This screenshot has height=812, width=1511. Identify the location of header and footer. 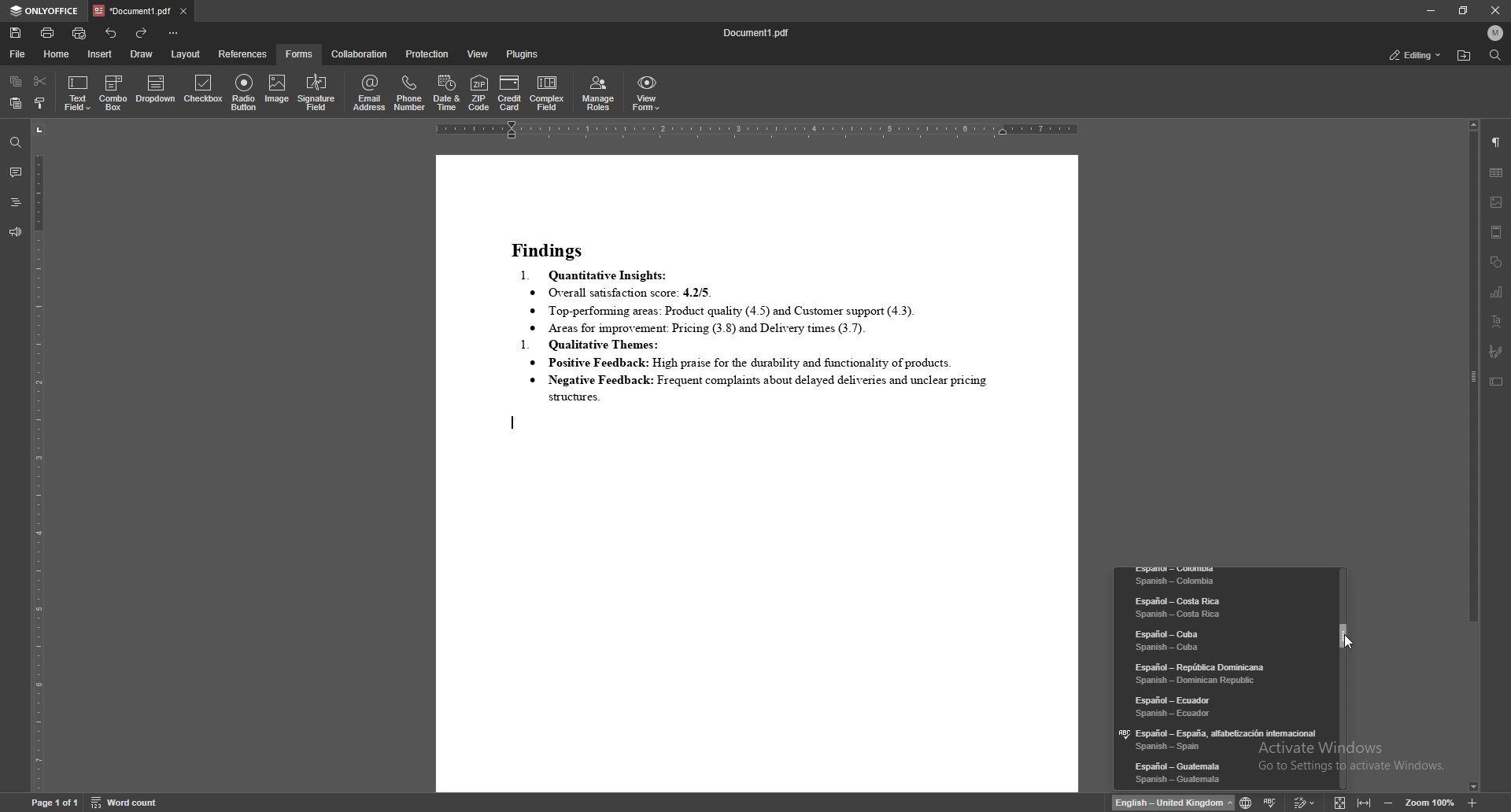
(1497, 232).